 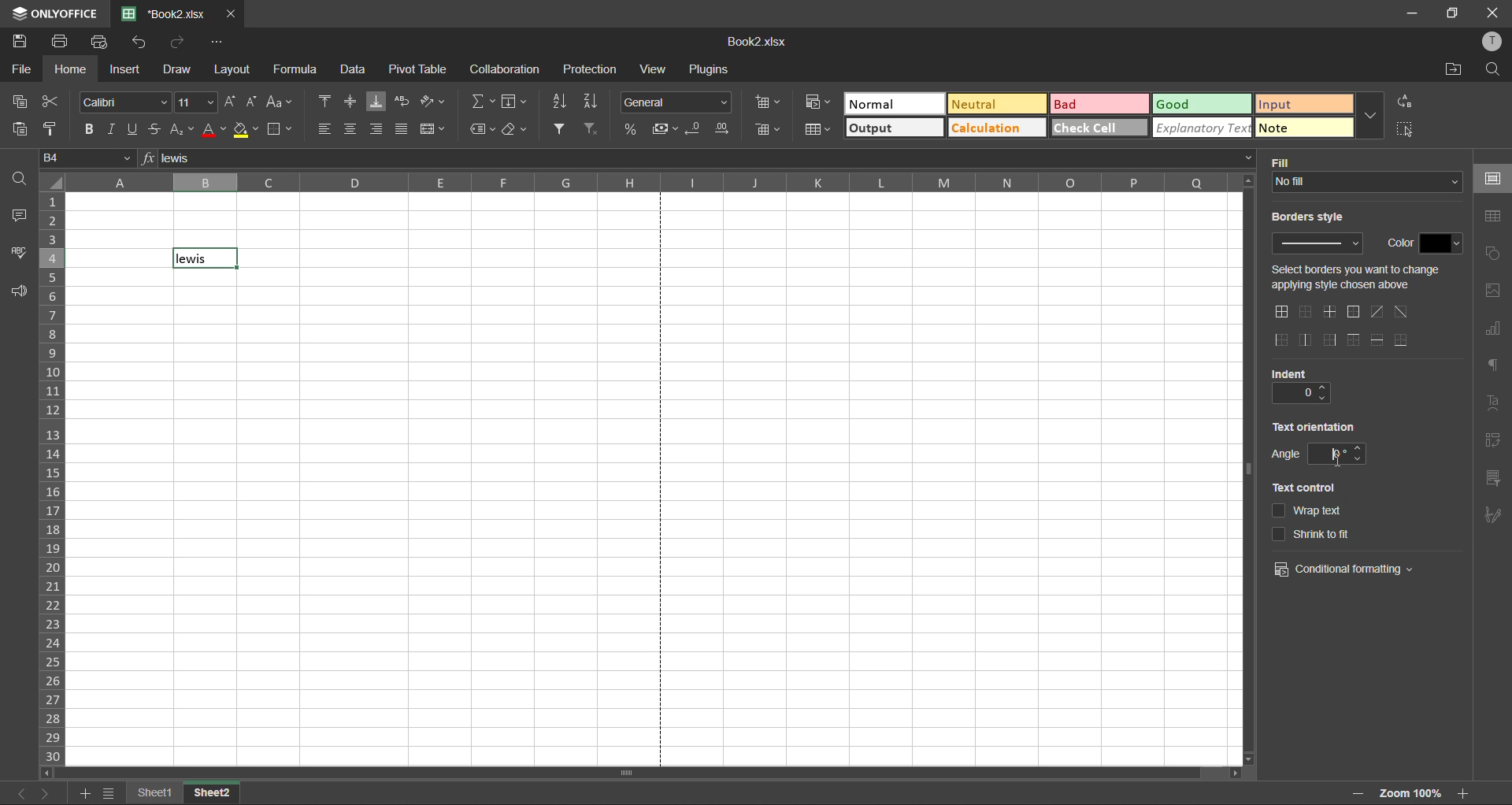 What do you see at coordinates (179, 70) in the screenshot?
I see `draw` at bounding box center [179, 70].